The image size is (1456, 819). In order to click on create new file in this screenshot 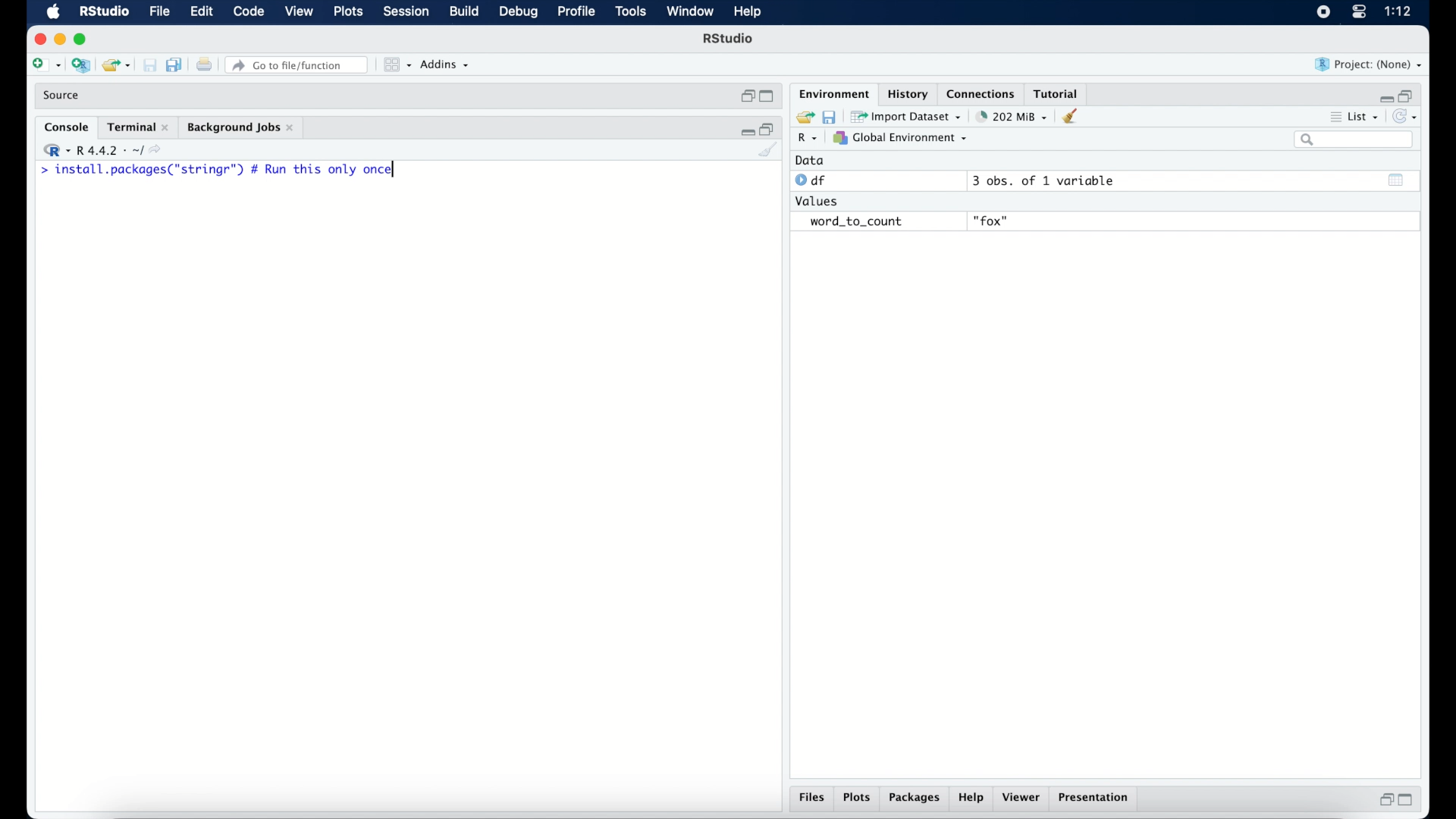, I will do `click(45, 66)`.